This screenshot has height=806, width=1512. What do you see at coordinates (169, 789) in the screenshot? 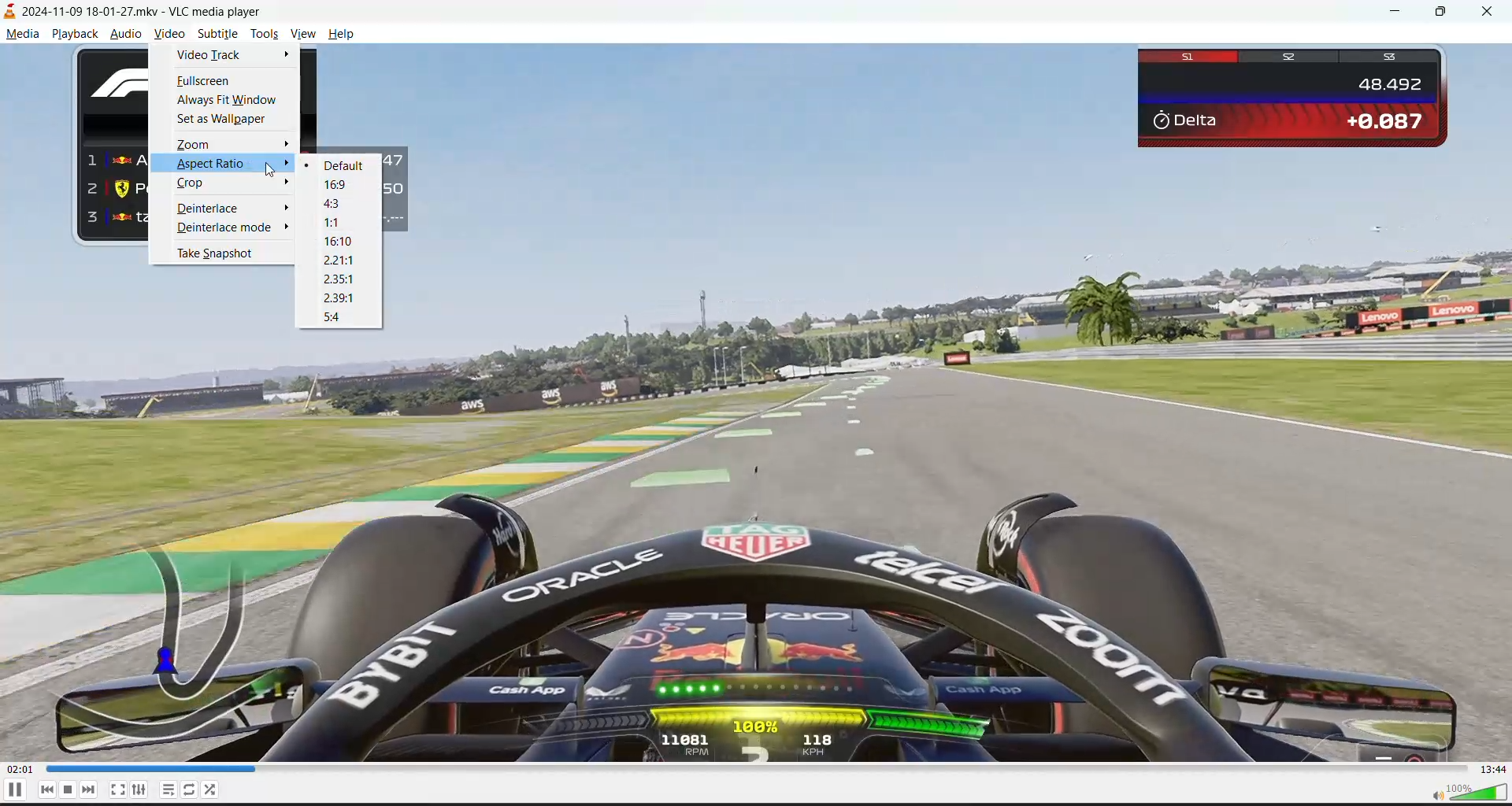
I see `toggle playlist` at bounding box center [169, 789].